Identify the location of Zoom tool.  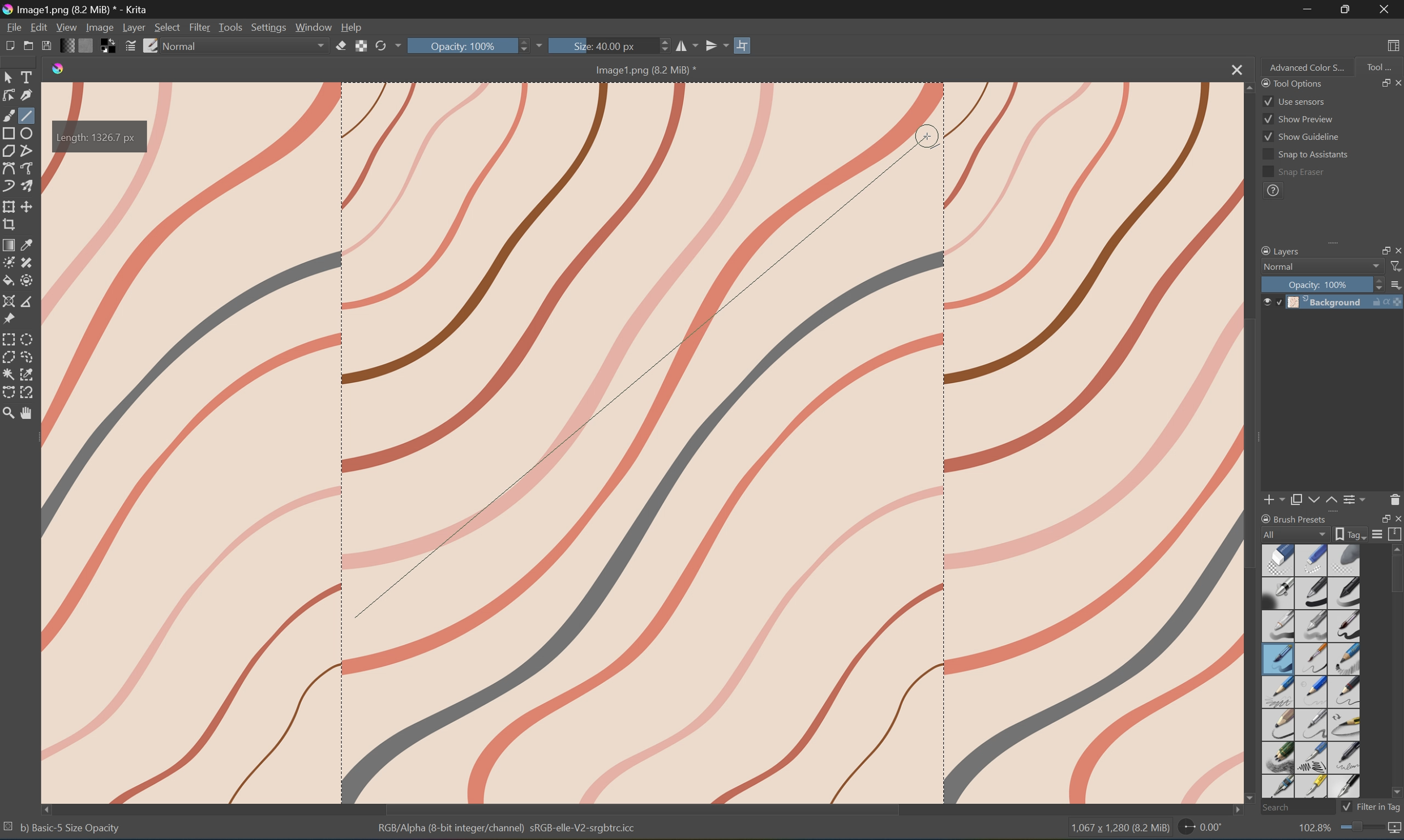
(9, 413).